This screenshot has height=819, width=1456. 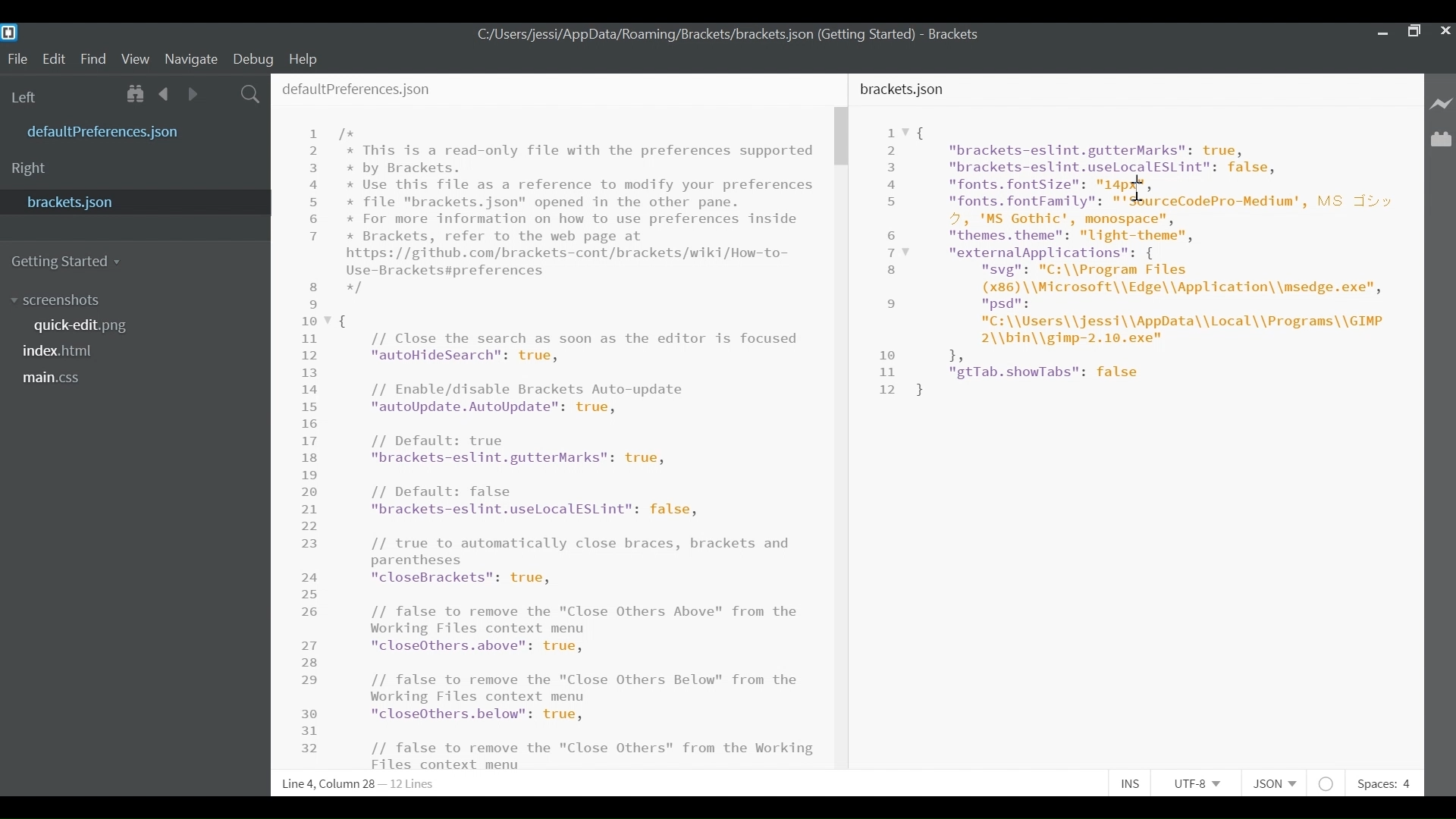 I want to click on Debug, so click(x=253, y=58).